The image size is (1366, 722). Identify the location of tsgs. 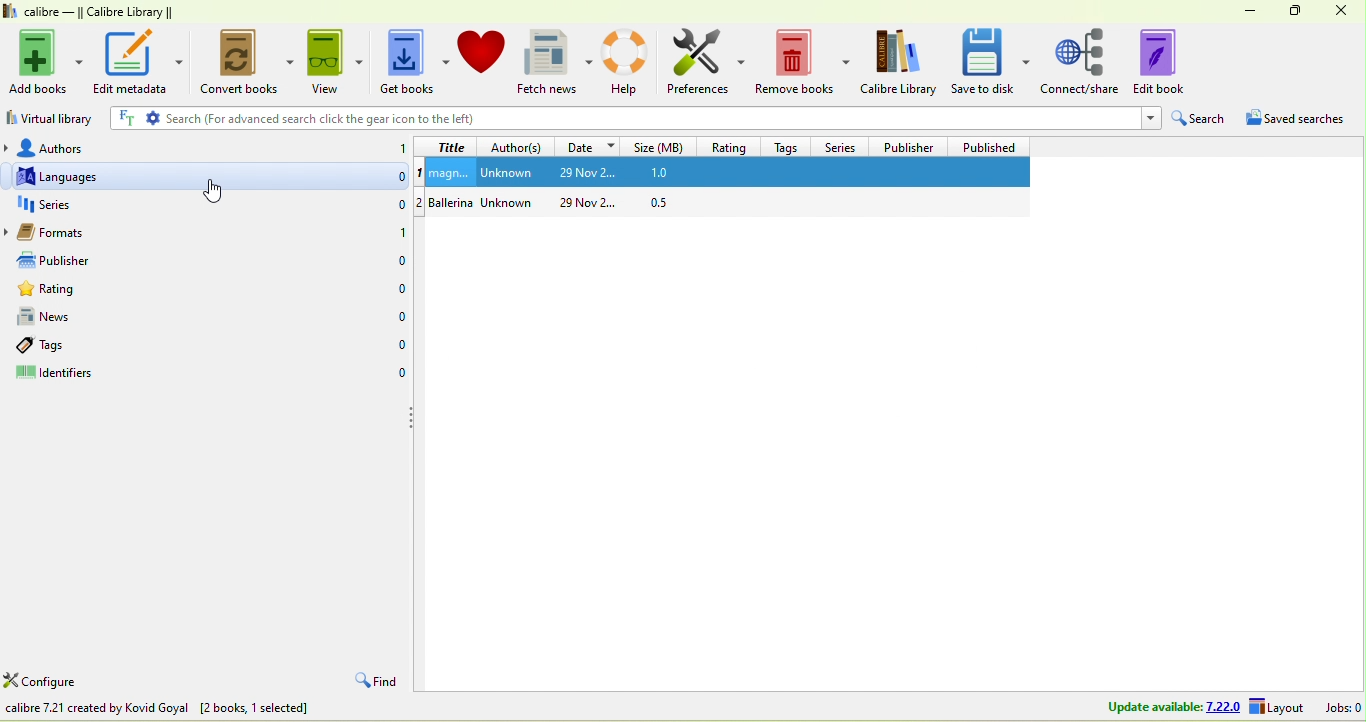
(71, 346).